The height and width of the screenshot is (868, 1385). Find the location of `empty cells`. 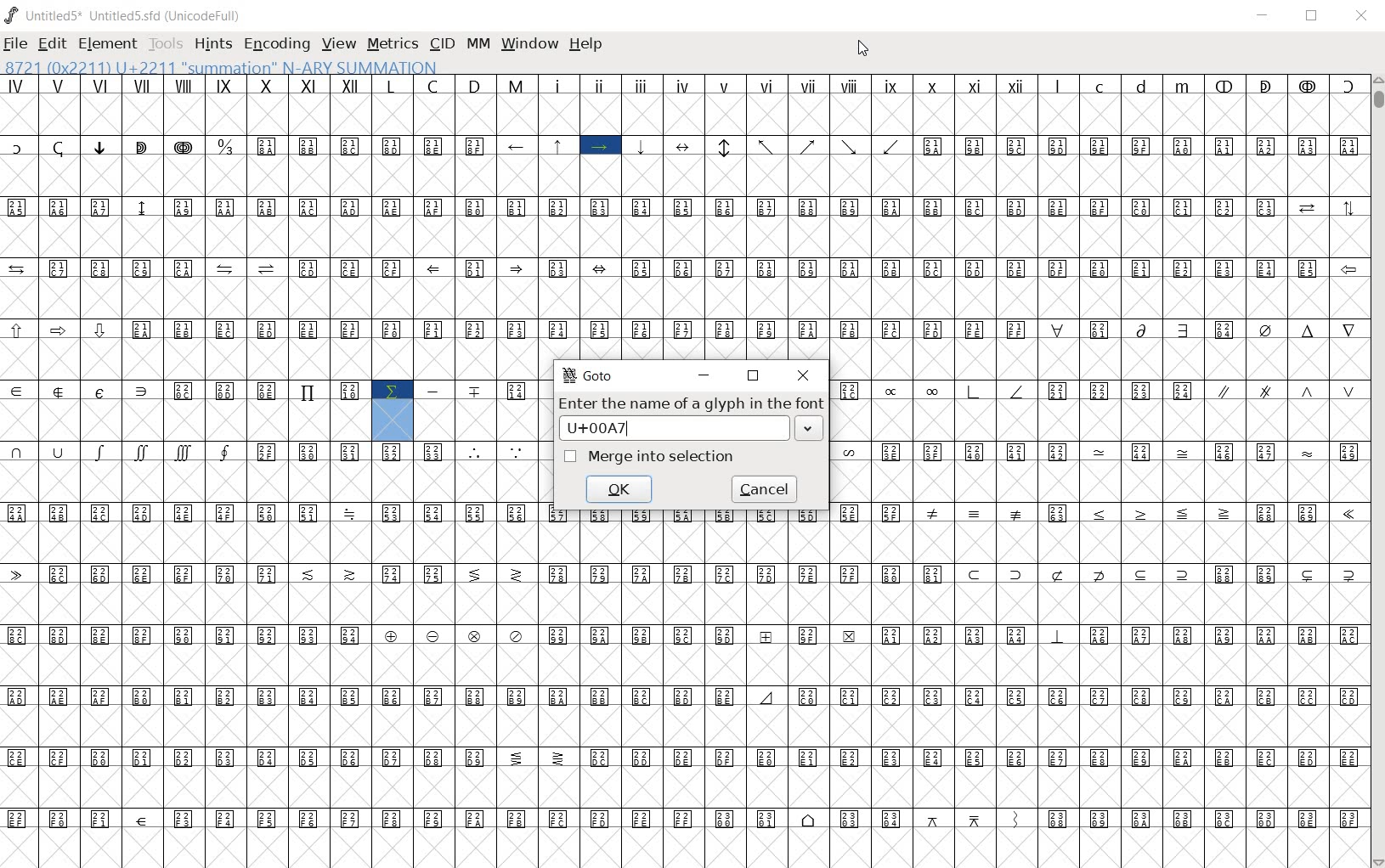

empty cells is located at coordinates (685, 848).